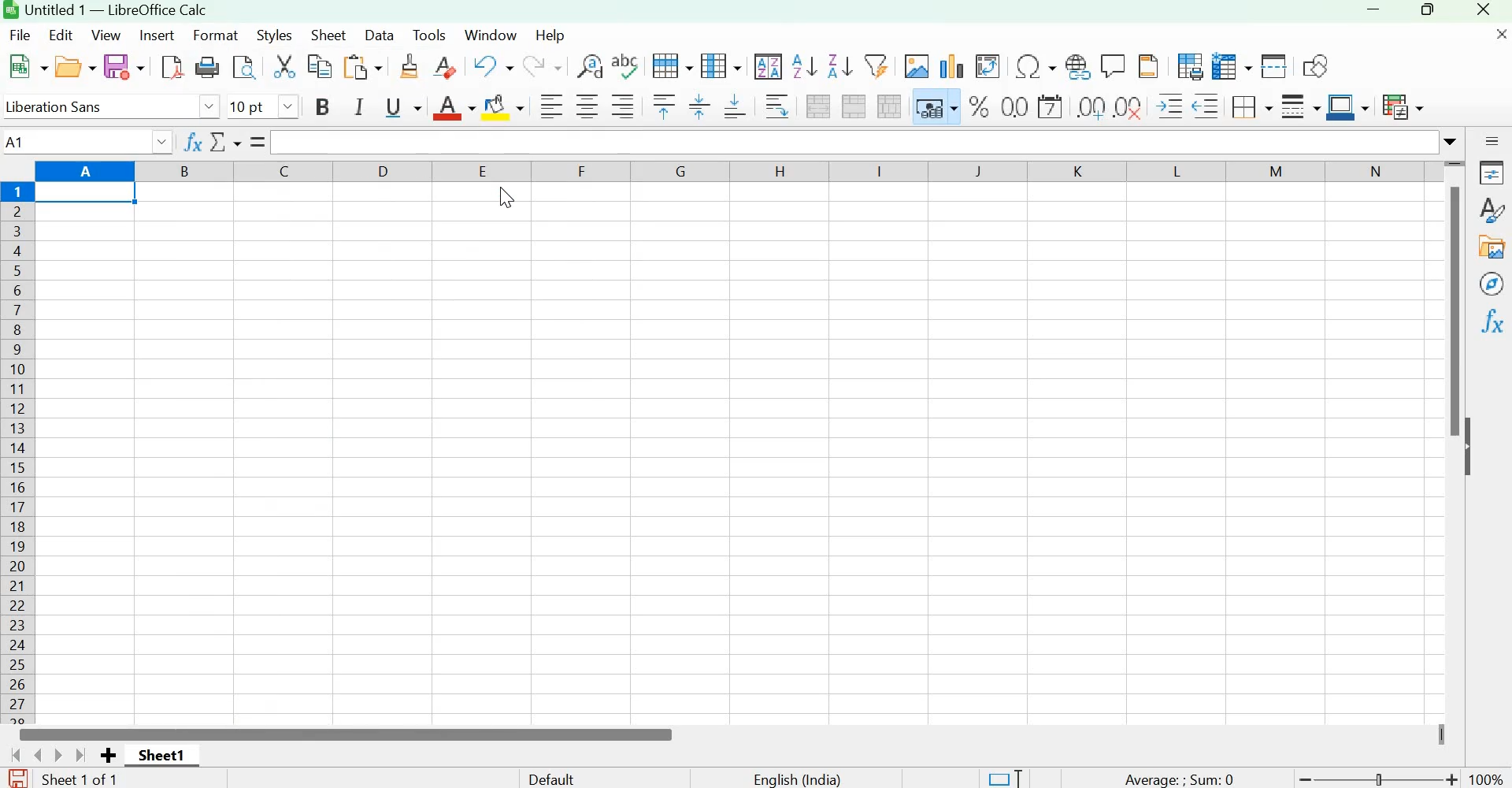  Describe the element at coordinates (851, 142) in the screenshot. I see `Input line` at that location.